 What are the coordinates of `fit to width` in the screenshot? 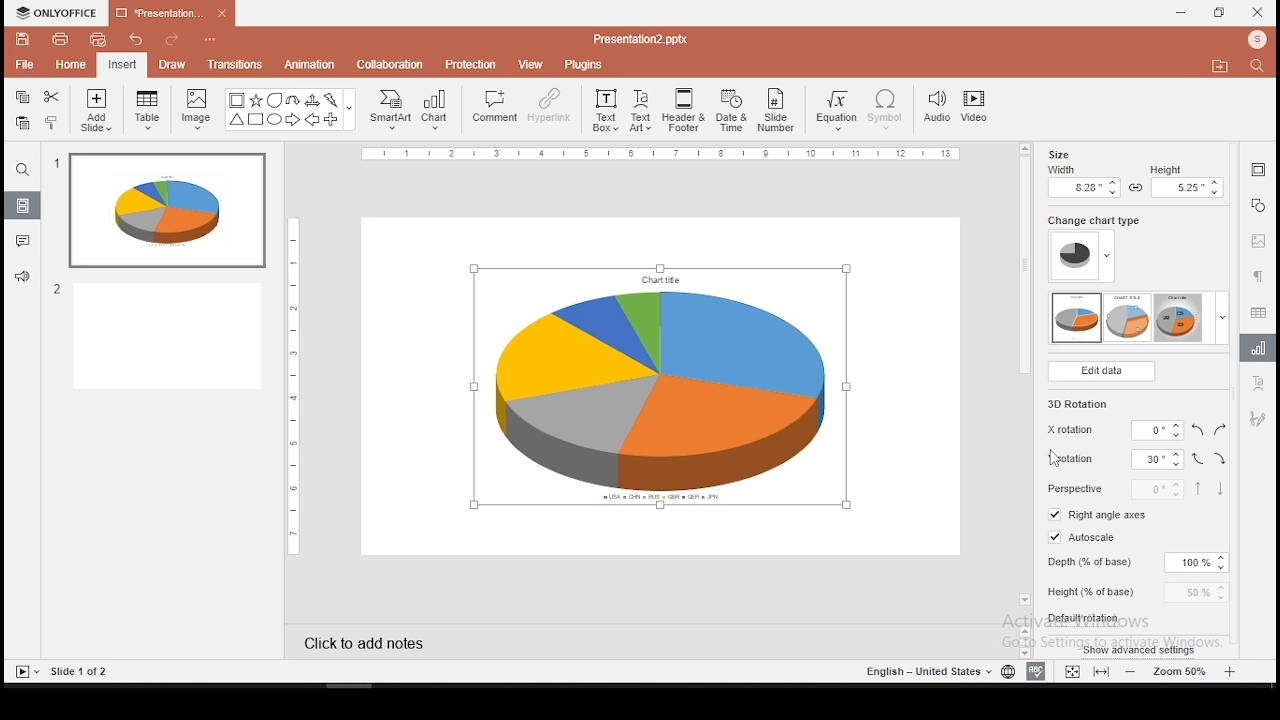 It's located at (1104, 671).